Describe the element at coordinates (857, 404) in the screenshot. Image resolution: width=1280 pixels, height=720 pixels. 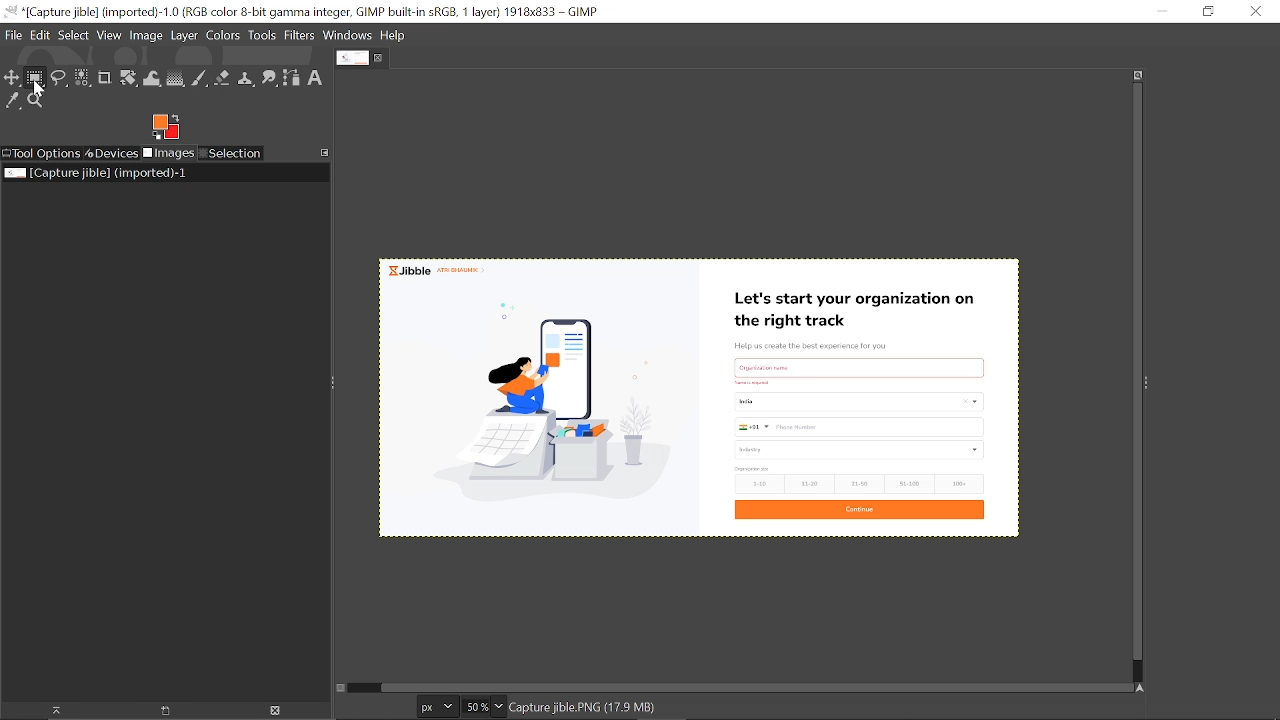
I see `Country` at that location.